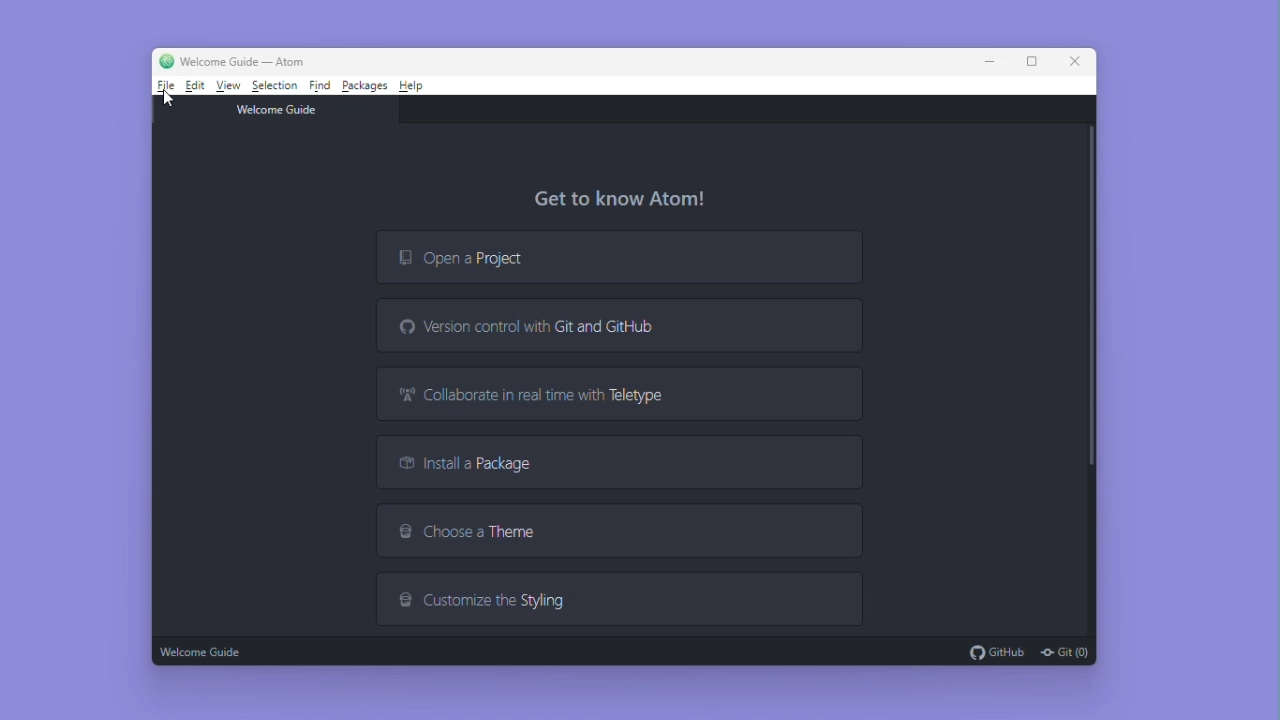 This screenshot has height=720, width=1280. Describe the element at coordinates (628, 199) in the screenshot. I see `get to know atom!` at that location.